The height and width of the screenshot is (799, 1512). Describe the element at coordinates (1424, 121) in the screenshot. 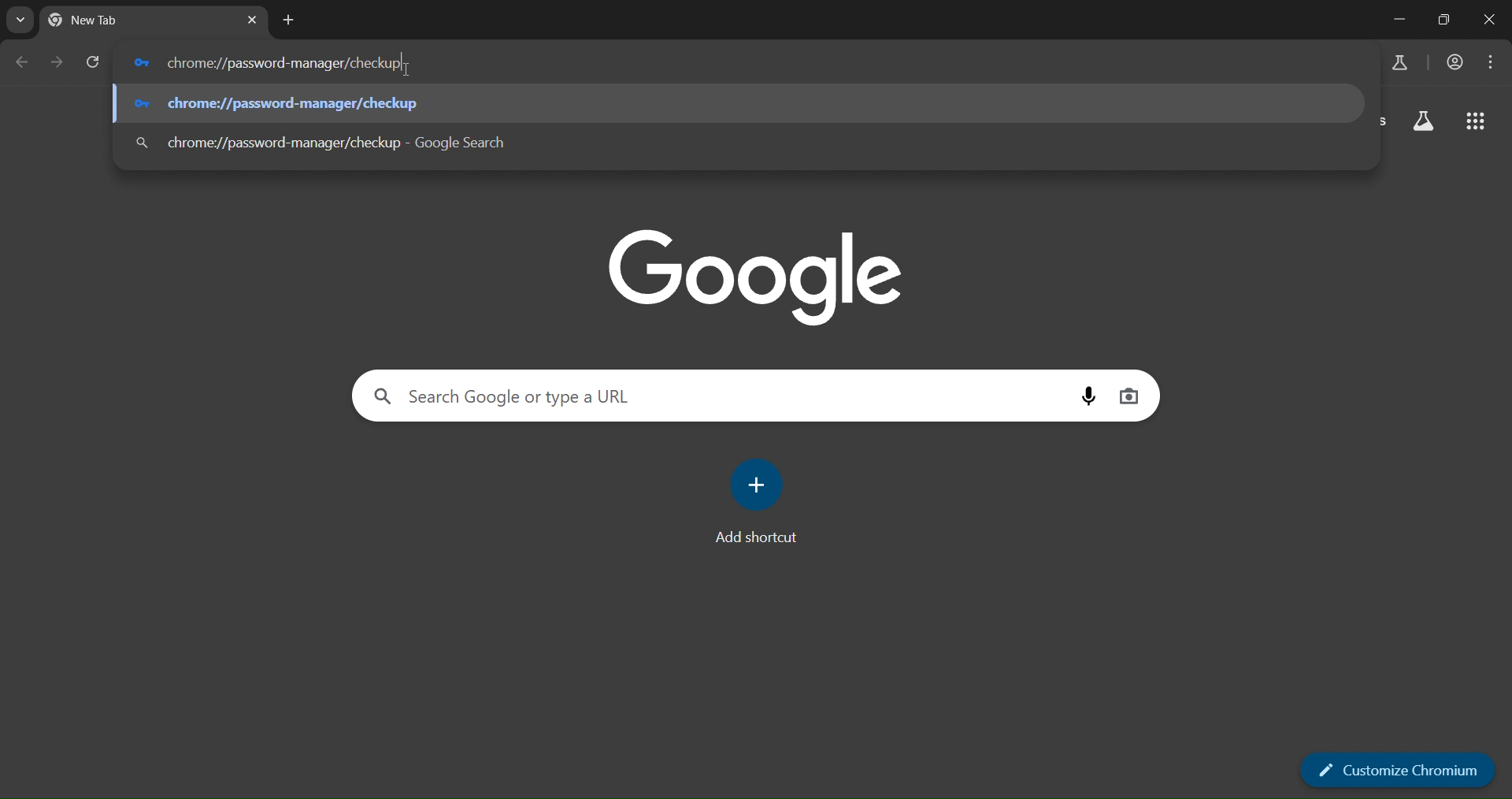

I see `search labs` at that location.